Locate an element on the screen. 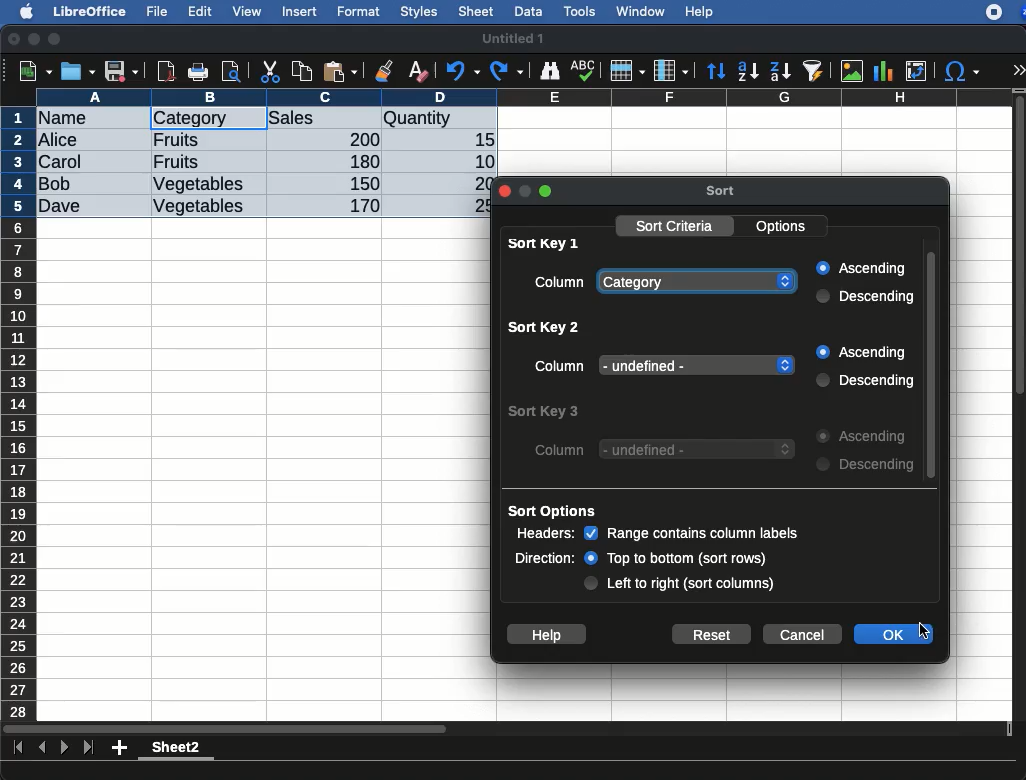  top to bottom (sort rows) is located at coordinates (677, 559).